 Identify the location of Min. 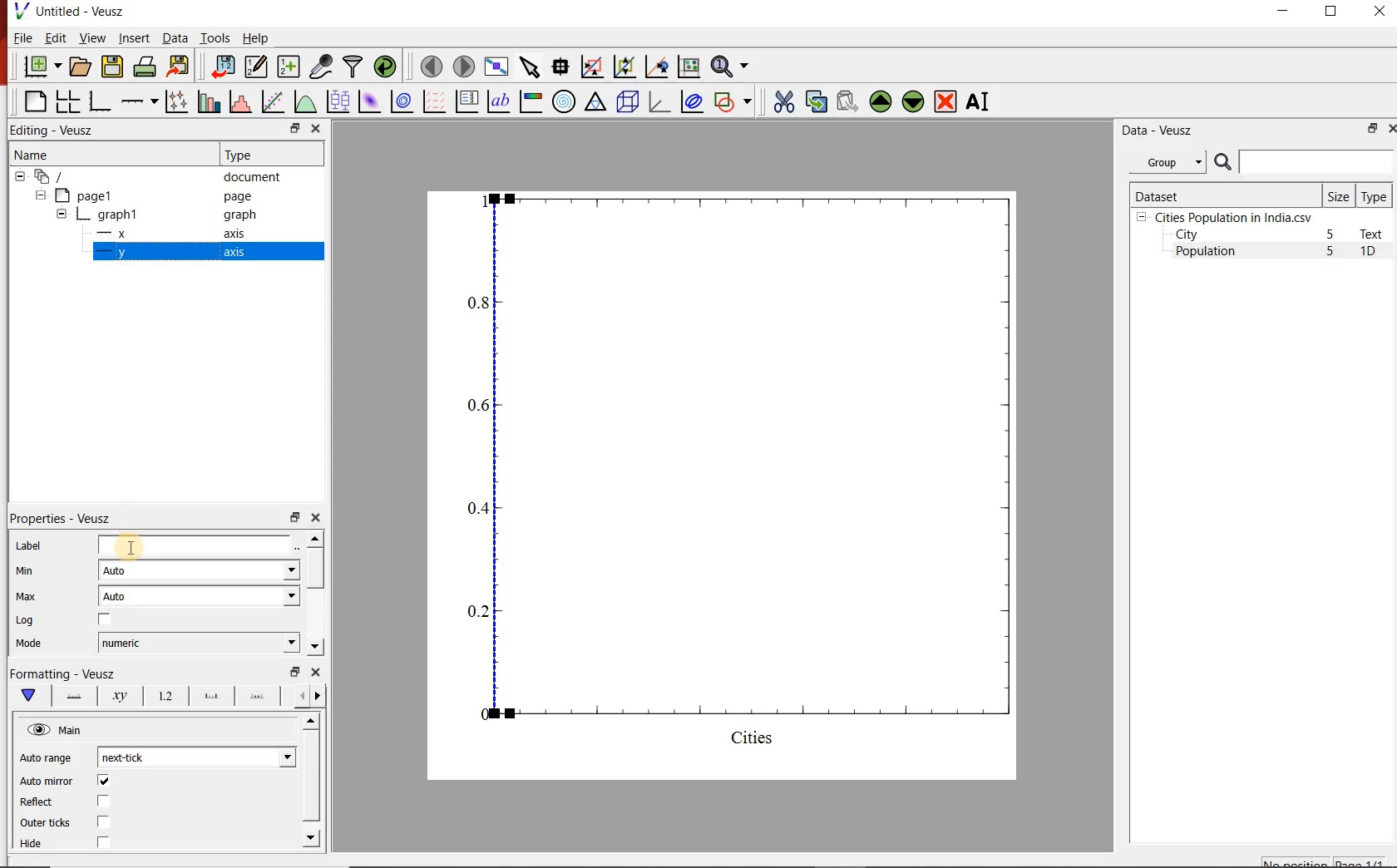
(25, 571).